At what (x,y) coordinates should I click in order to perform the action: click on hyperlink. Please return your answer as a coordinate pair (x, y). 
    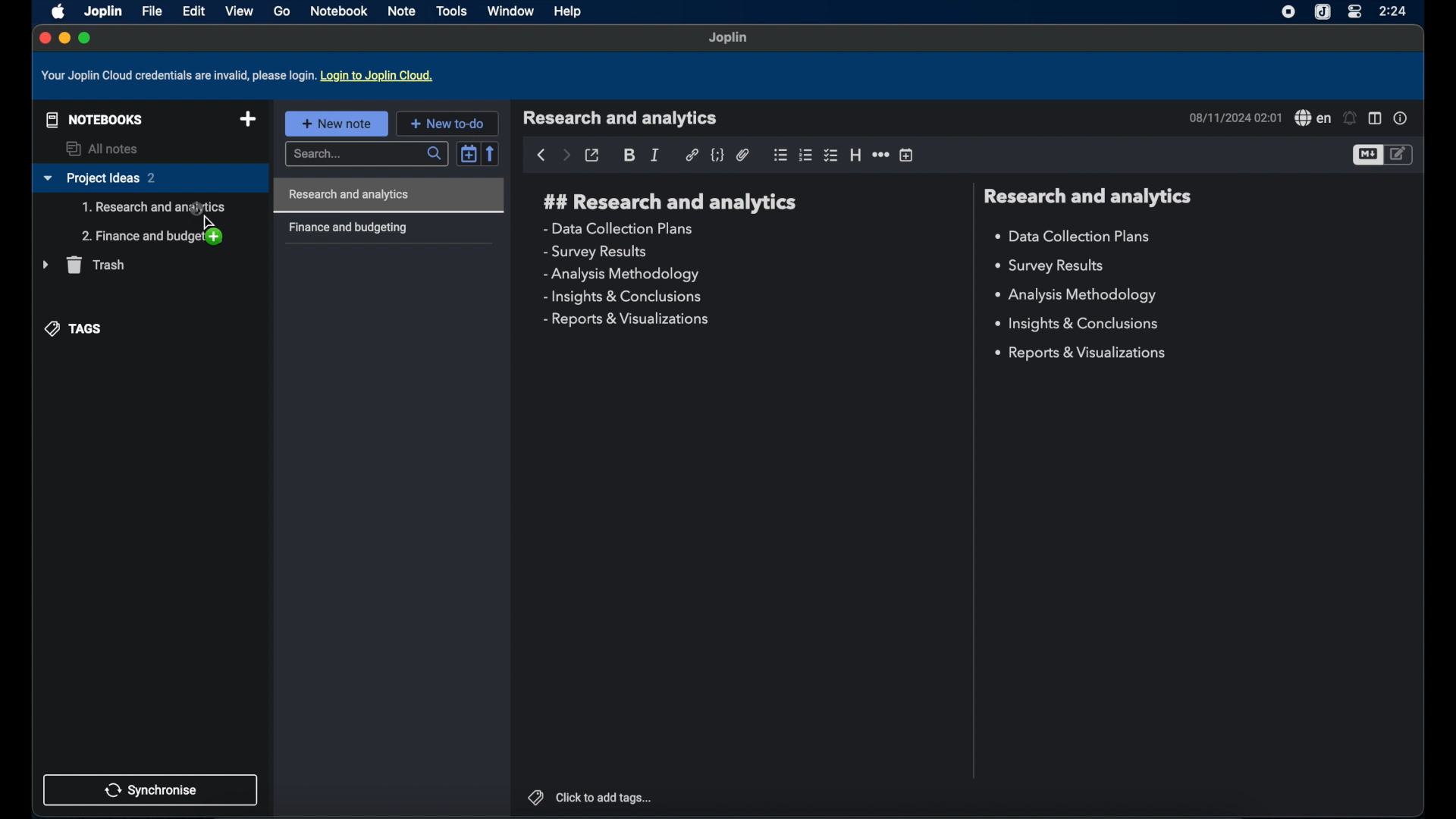
    Looking at the image, I should click on (692, 155).